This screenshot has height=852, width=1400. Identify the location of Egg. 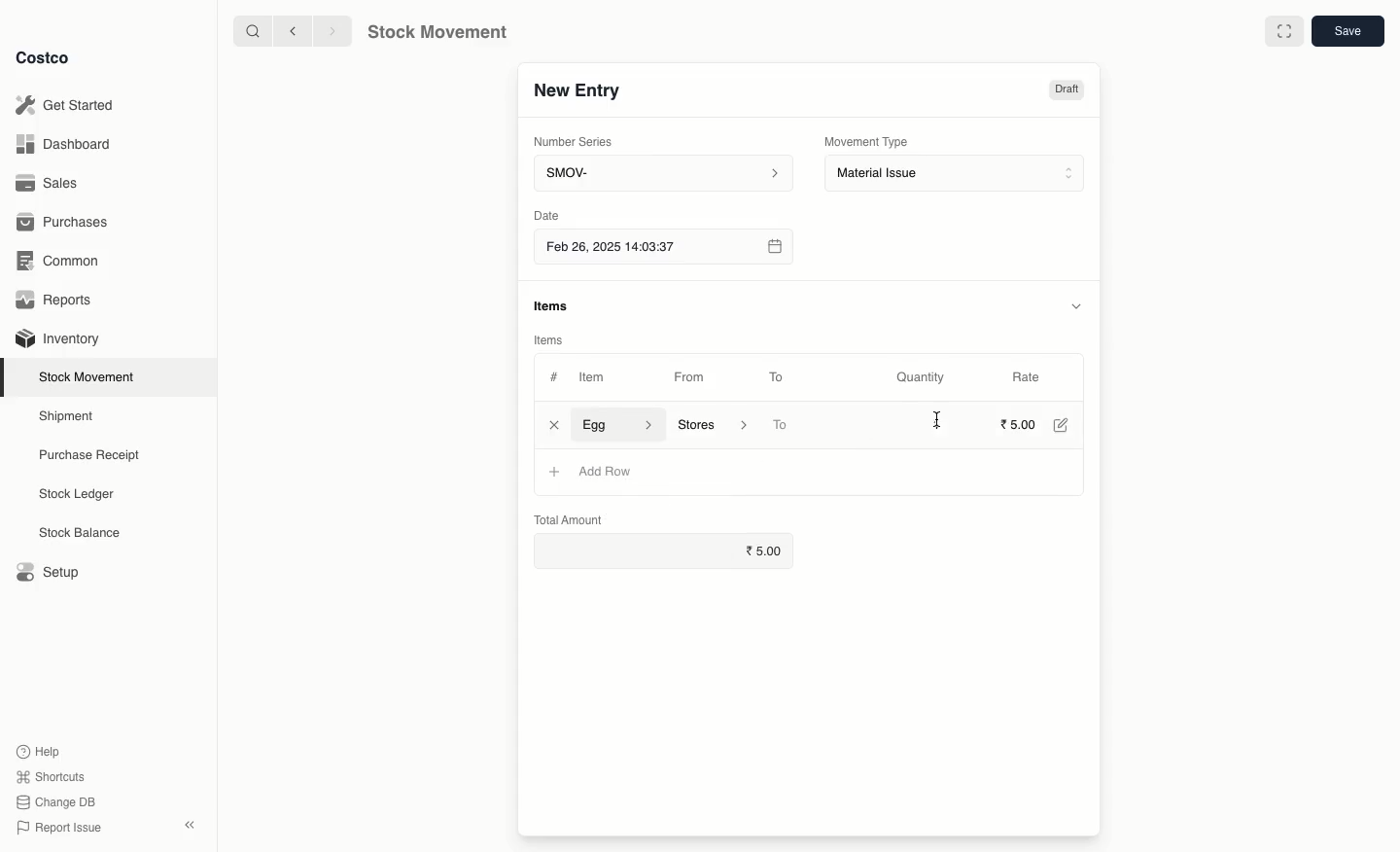
(617, 424).